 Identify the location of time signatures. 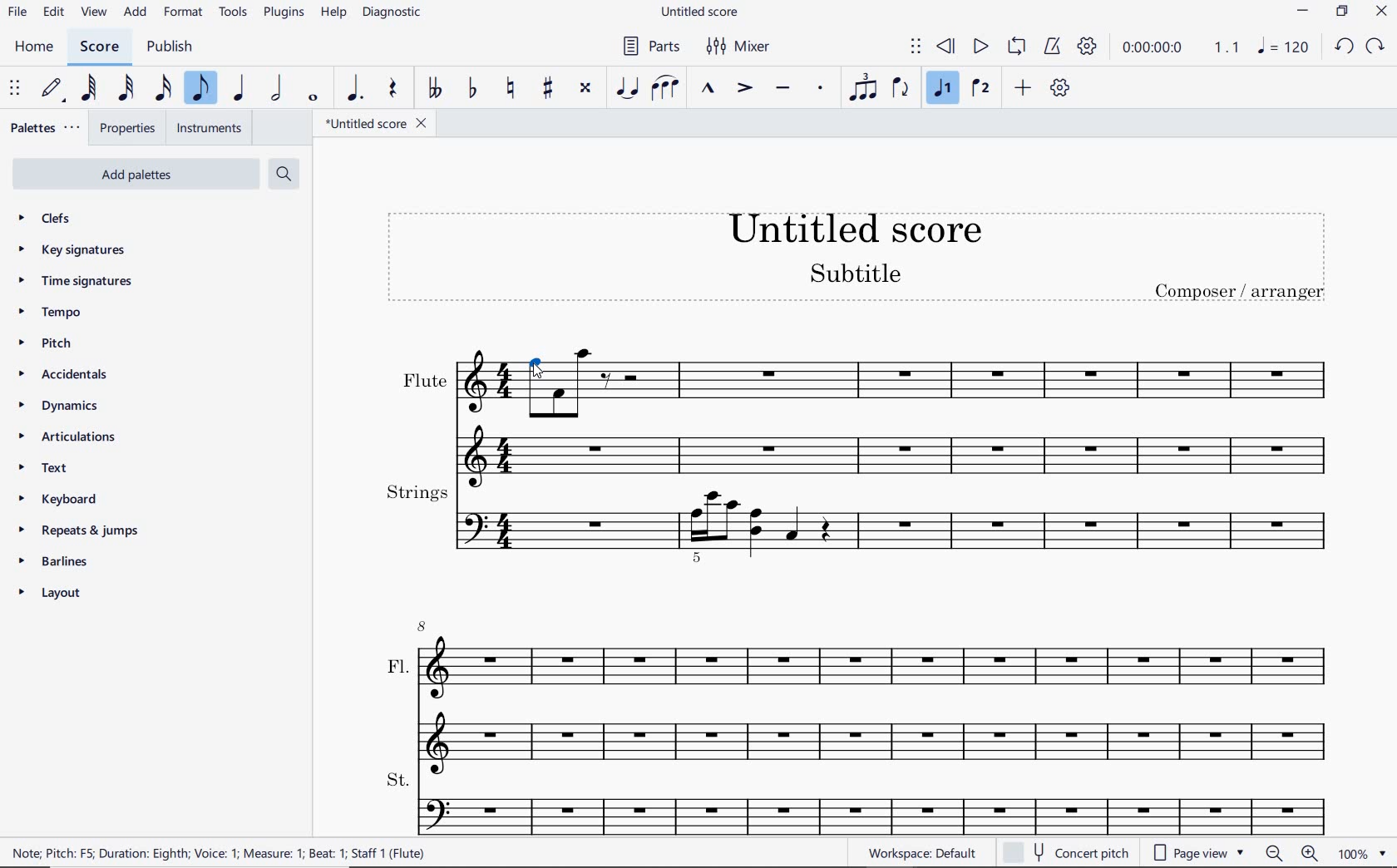
(74, 279).